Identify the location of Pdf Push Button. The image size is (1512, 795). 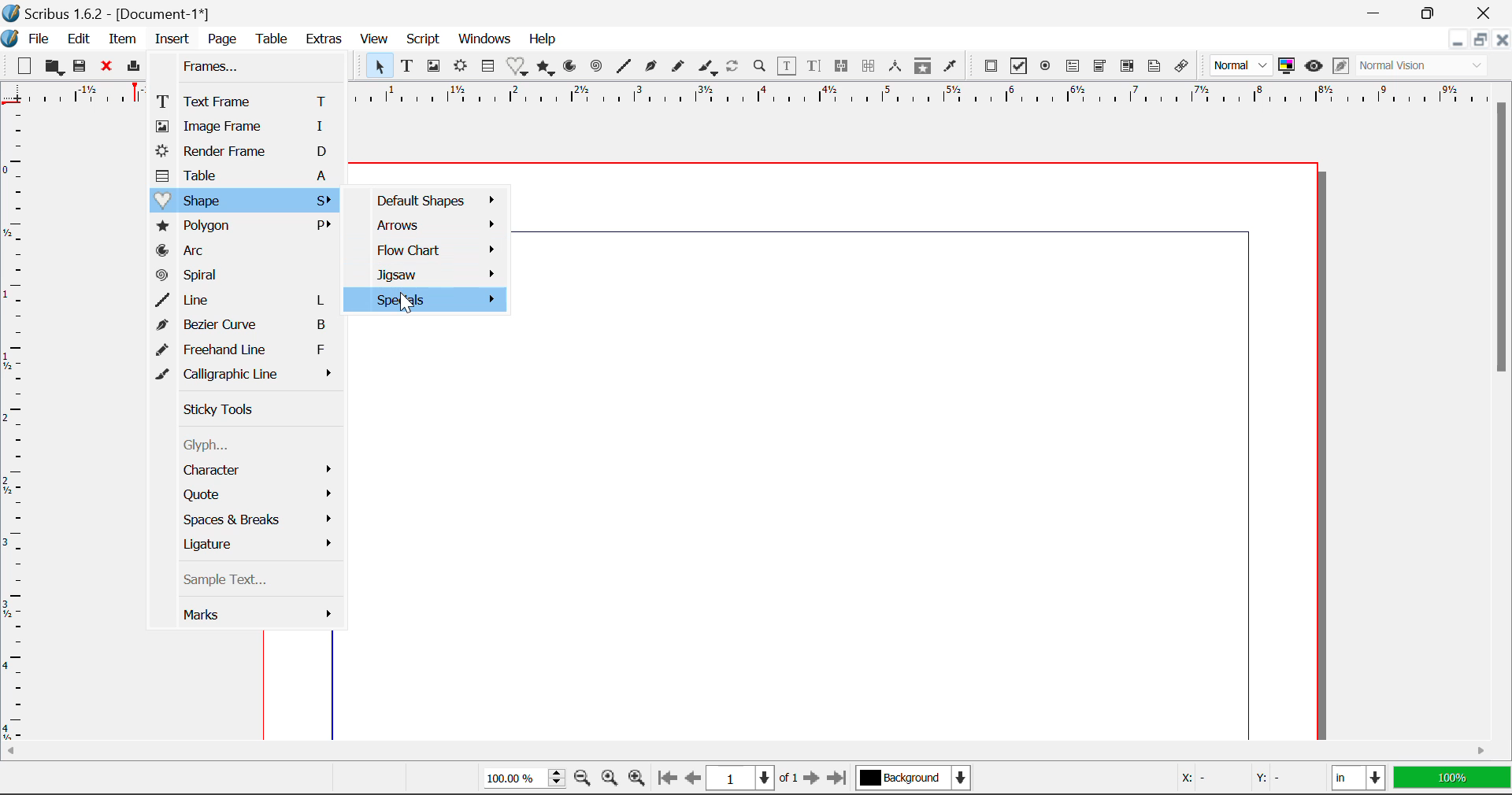
(991, 66).